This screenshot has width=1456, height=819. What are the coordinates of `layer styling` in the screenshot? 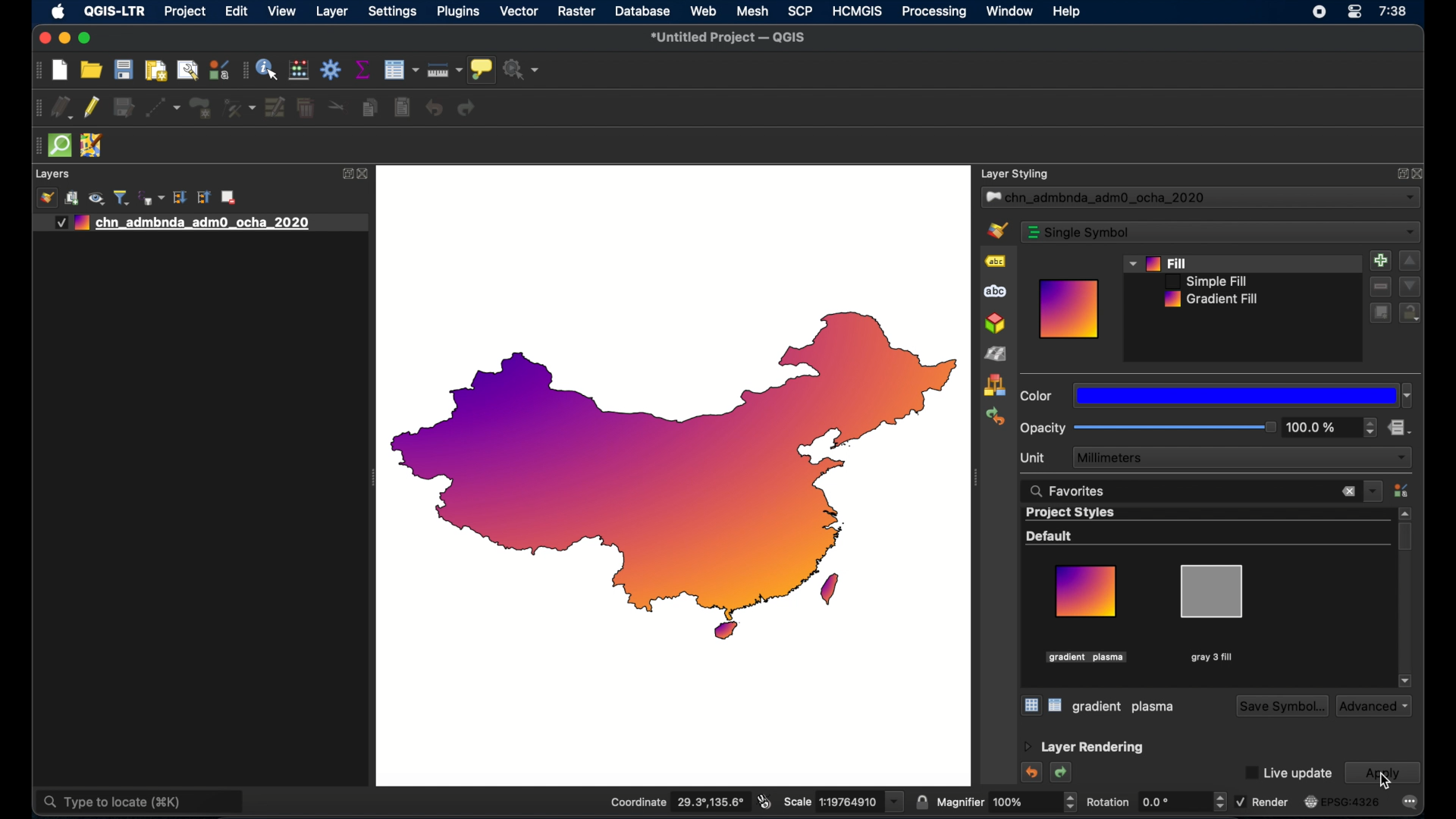 It's located at (1015, 174).